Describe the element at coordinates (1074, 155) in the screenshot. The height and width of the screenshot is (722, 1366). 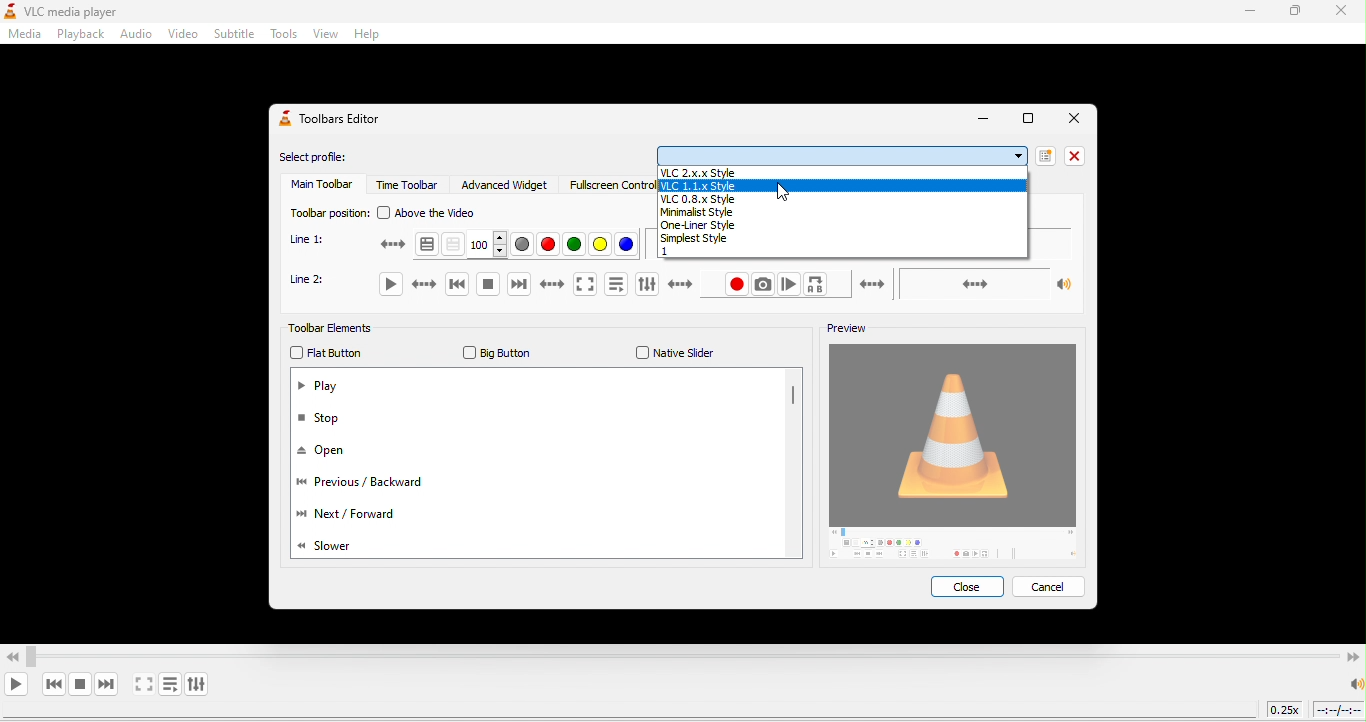
I see `close` at that location.